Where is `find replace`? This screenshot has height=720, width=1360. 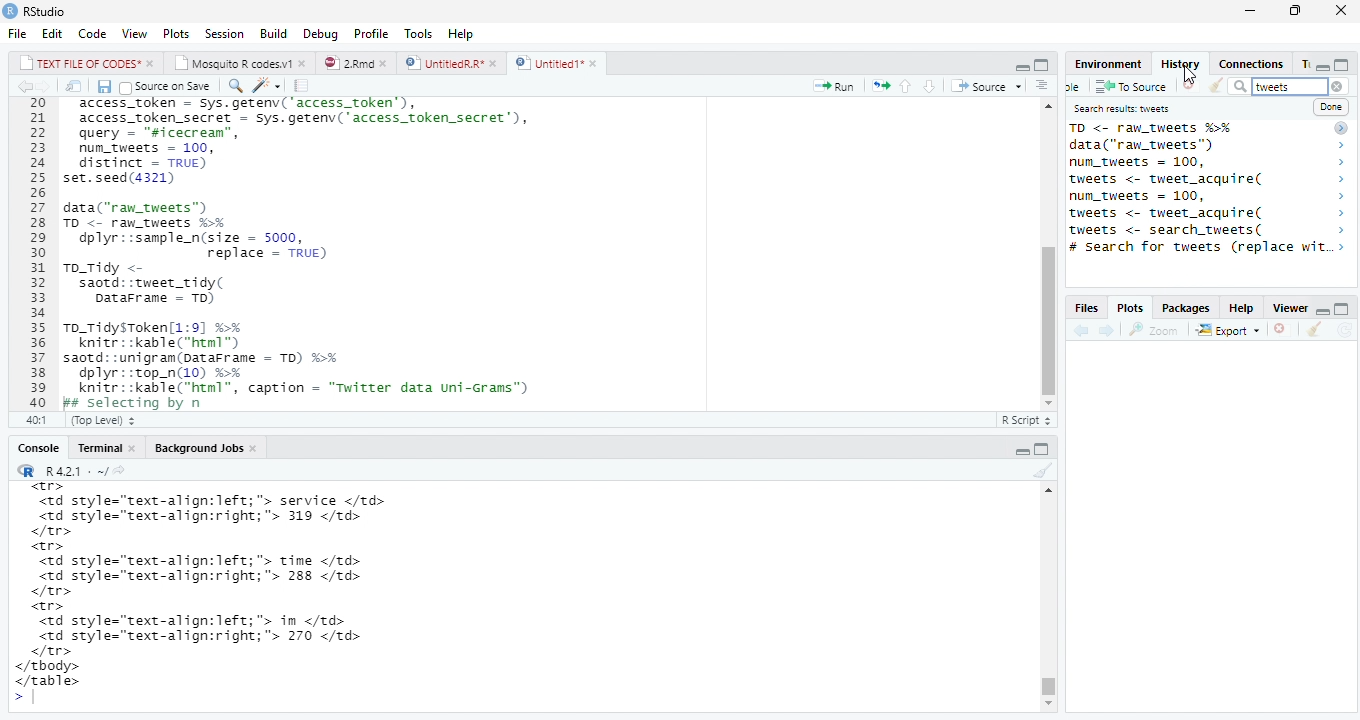
find replace is located at coordinates (237, 85).